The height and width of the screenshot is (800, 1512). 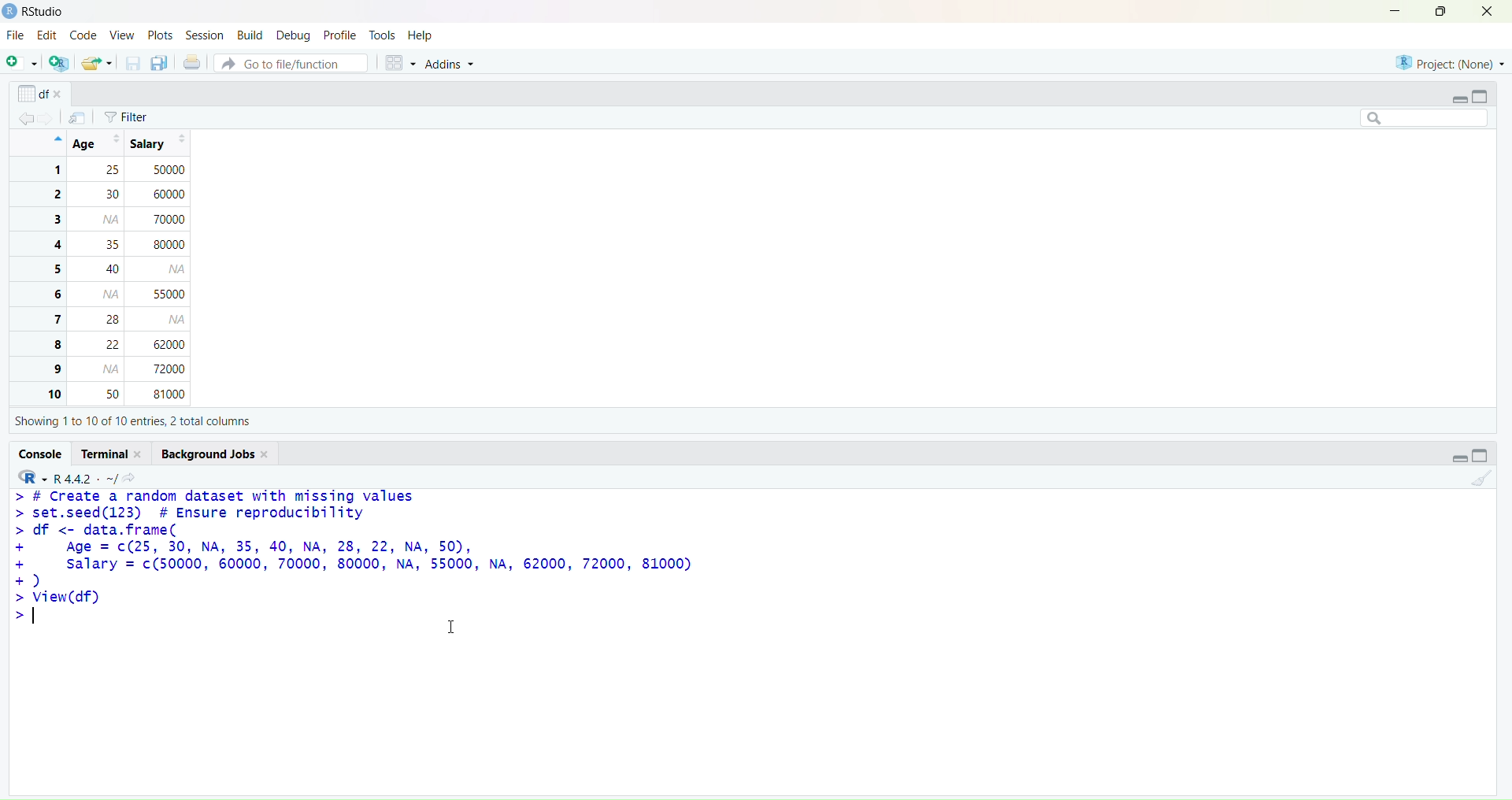 I want to click on options, so click(x=77, y=118).